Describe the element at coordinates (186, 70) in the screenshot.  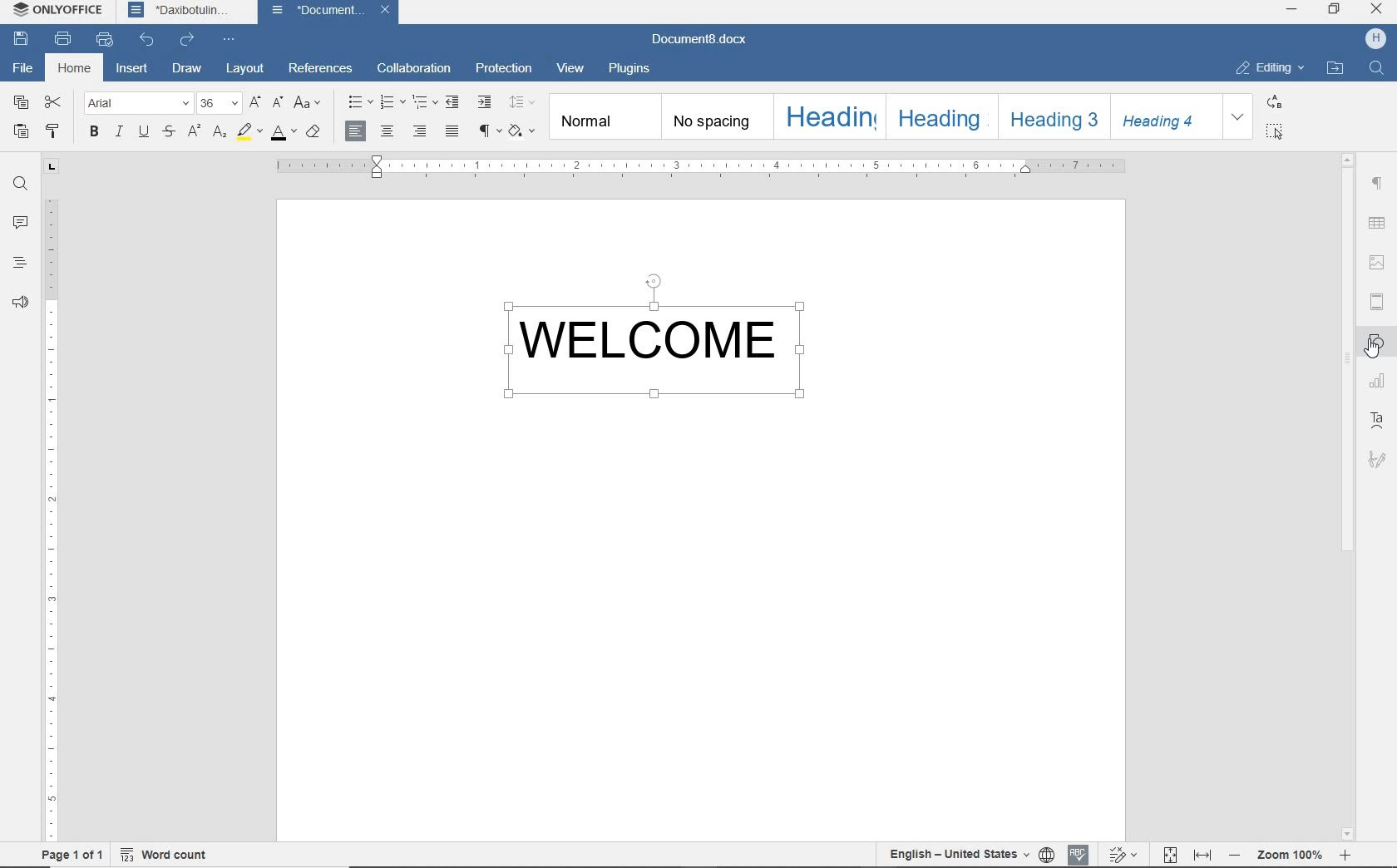
I see `DRAW` at that location.